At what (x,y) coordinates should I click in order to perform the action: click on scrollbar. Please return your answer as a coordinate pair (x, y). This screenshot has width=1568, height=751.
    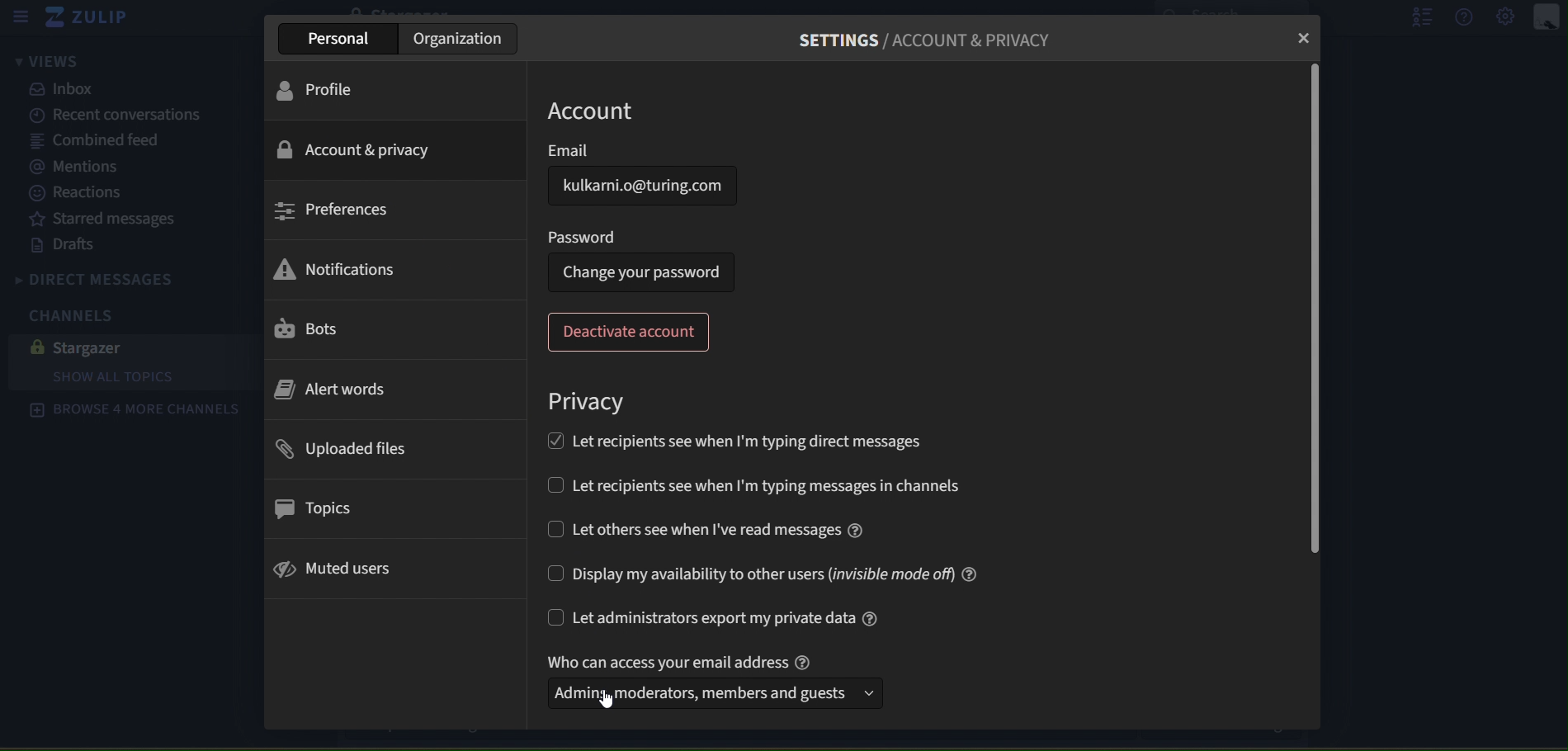
    Looking at the image, I should click on (1311, 311).